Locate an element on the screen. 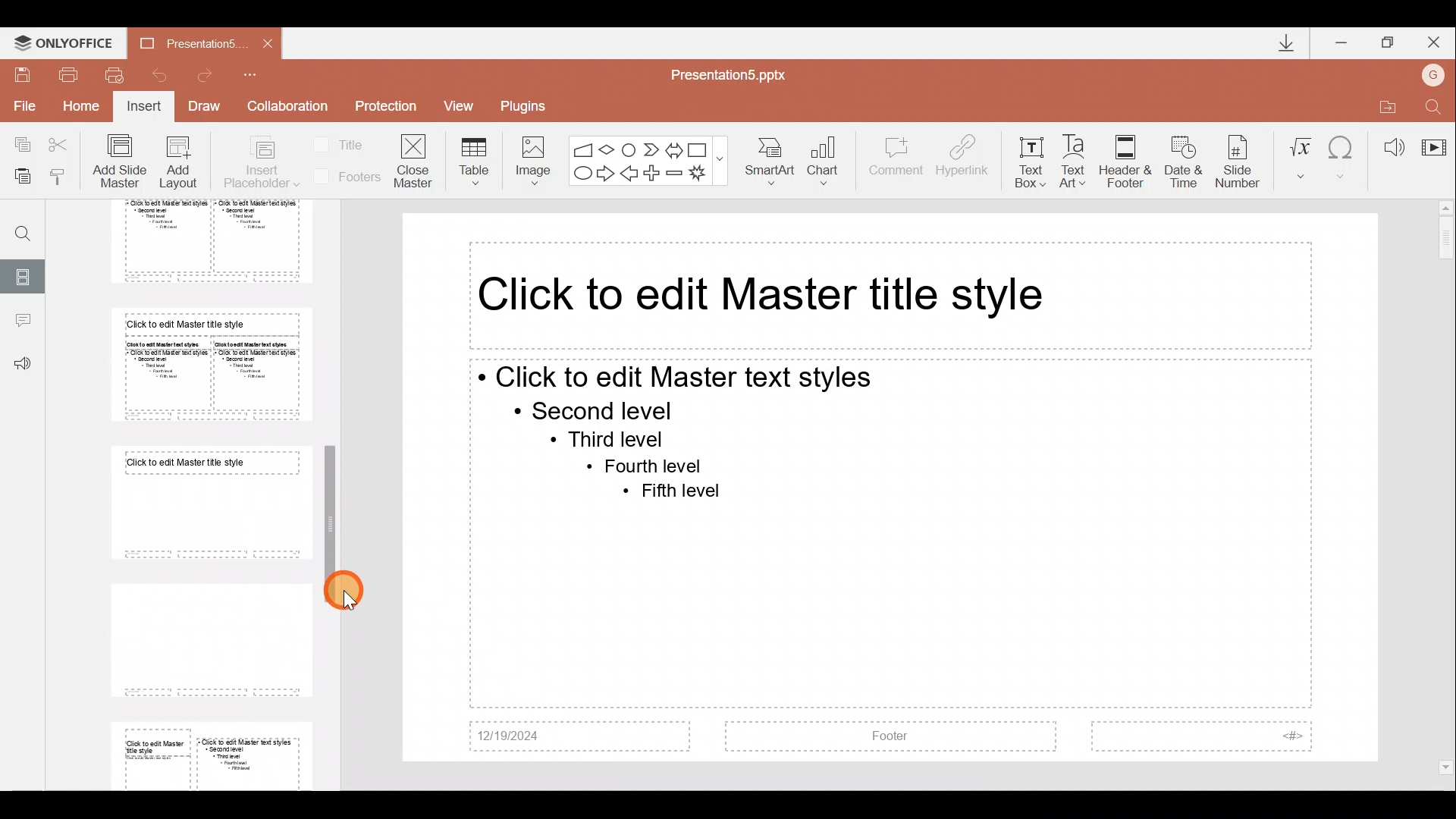 The width and height of the screenshot is (1456, 819). Undo is located at coordinates (158, 74).